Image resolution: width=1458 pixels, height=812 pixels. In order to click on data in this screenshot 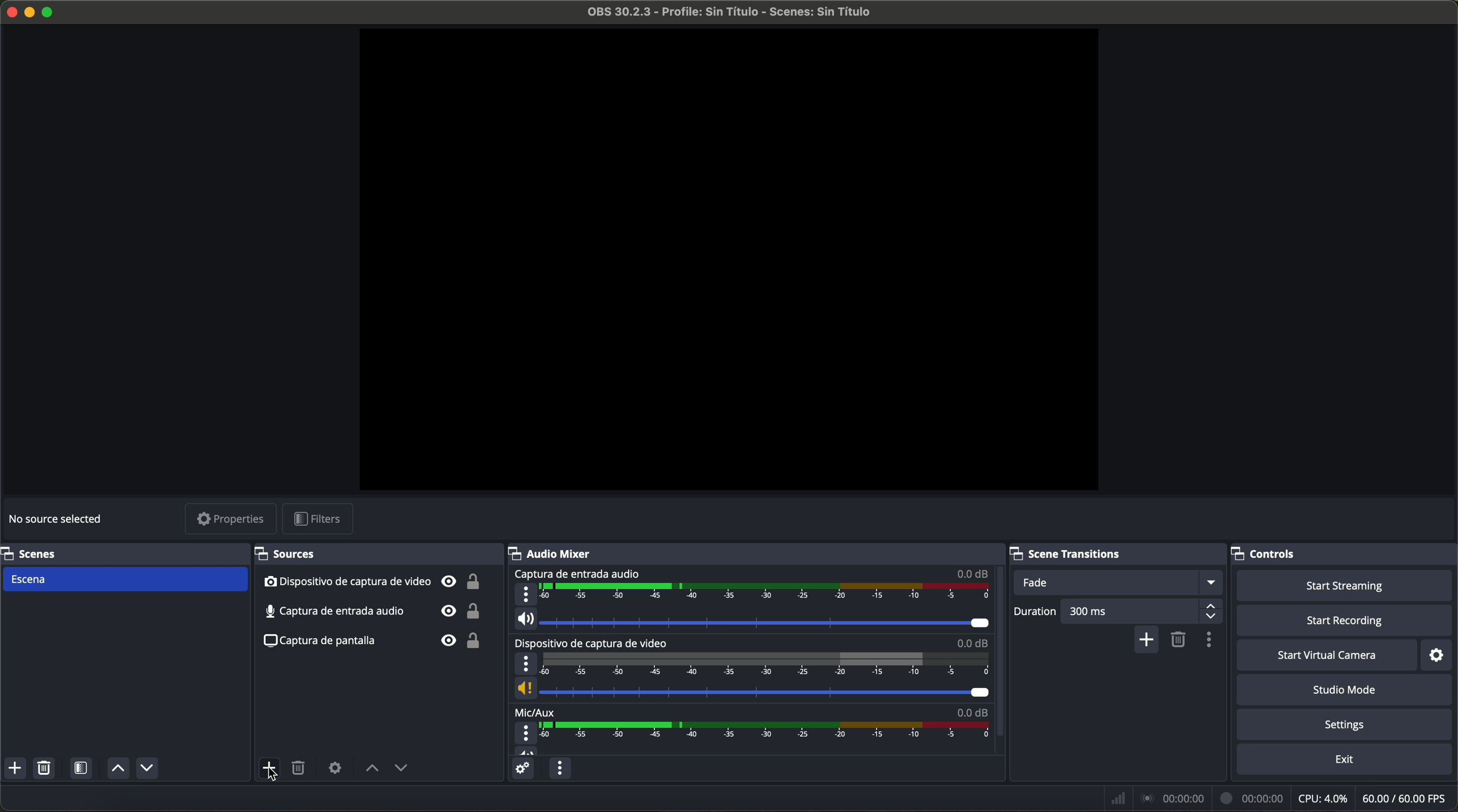, I will do `click(1281, 798)`.